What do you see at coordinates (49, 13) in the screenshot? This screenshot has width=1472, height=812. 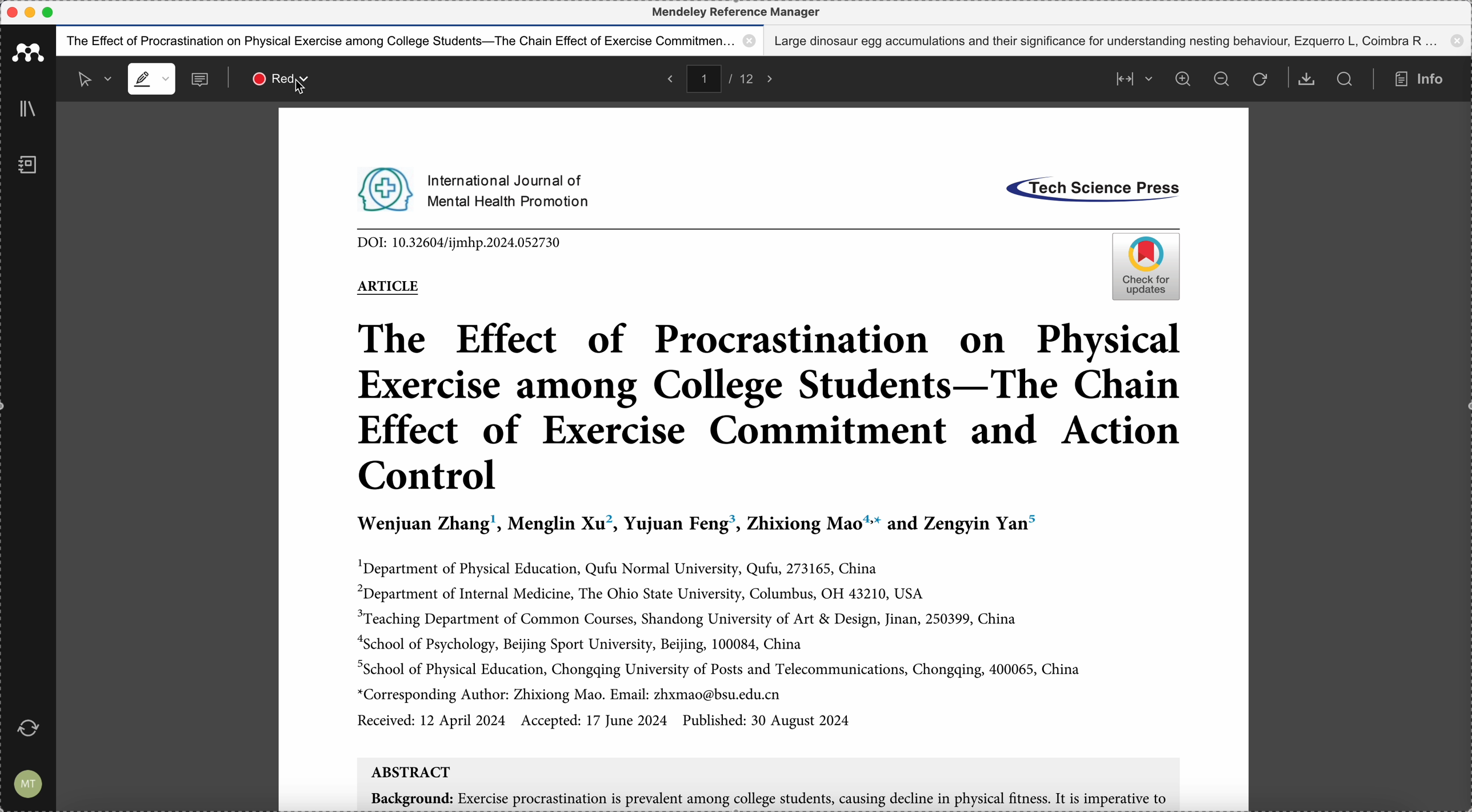 I see `maximize` at bounding box center [49, 13].